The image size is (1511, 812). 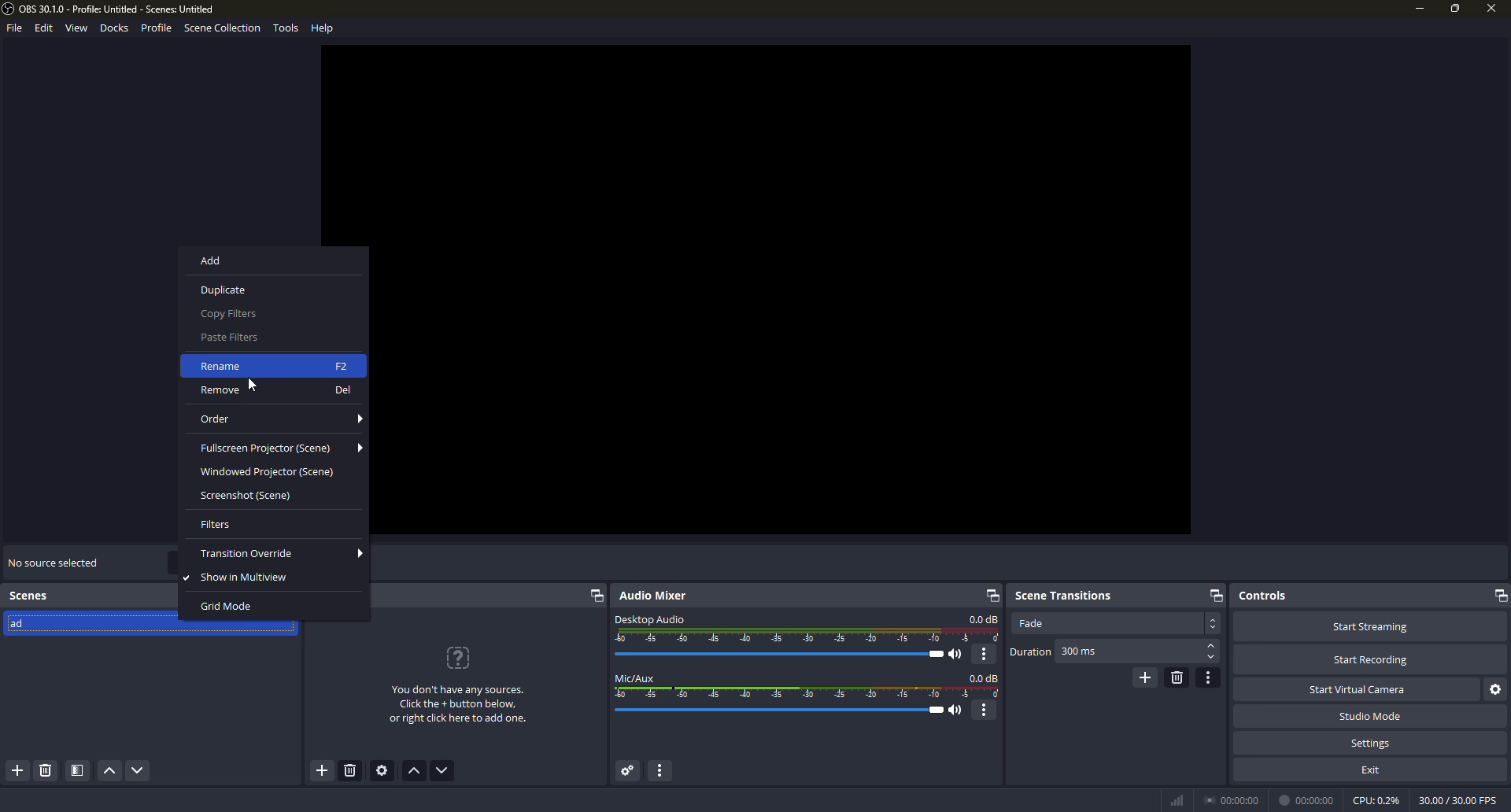 What do you see at coordinates (273, 498) in the screenshot?
I see `Screenshot (Scene)` at bounding box center [273, 498].